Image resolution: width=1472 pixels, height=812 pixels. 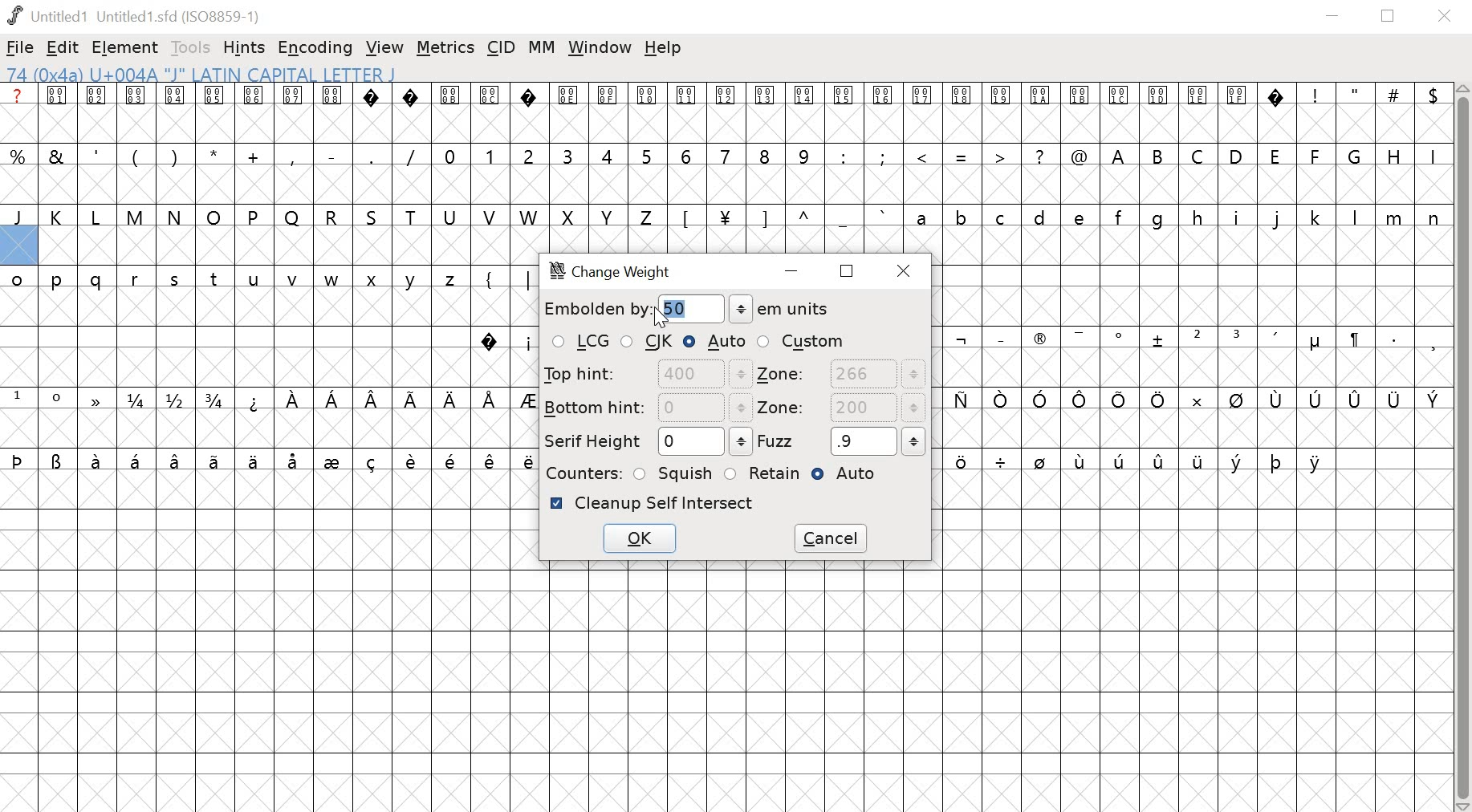 I want to click on AUTO, so click(x=715, y=341).